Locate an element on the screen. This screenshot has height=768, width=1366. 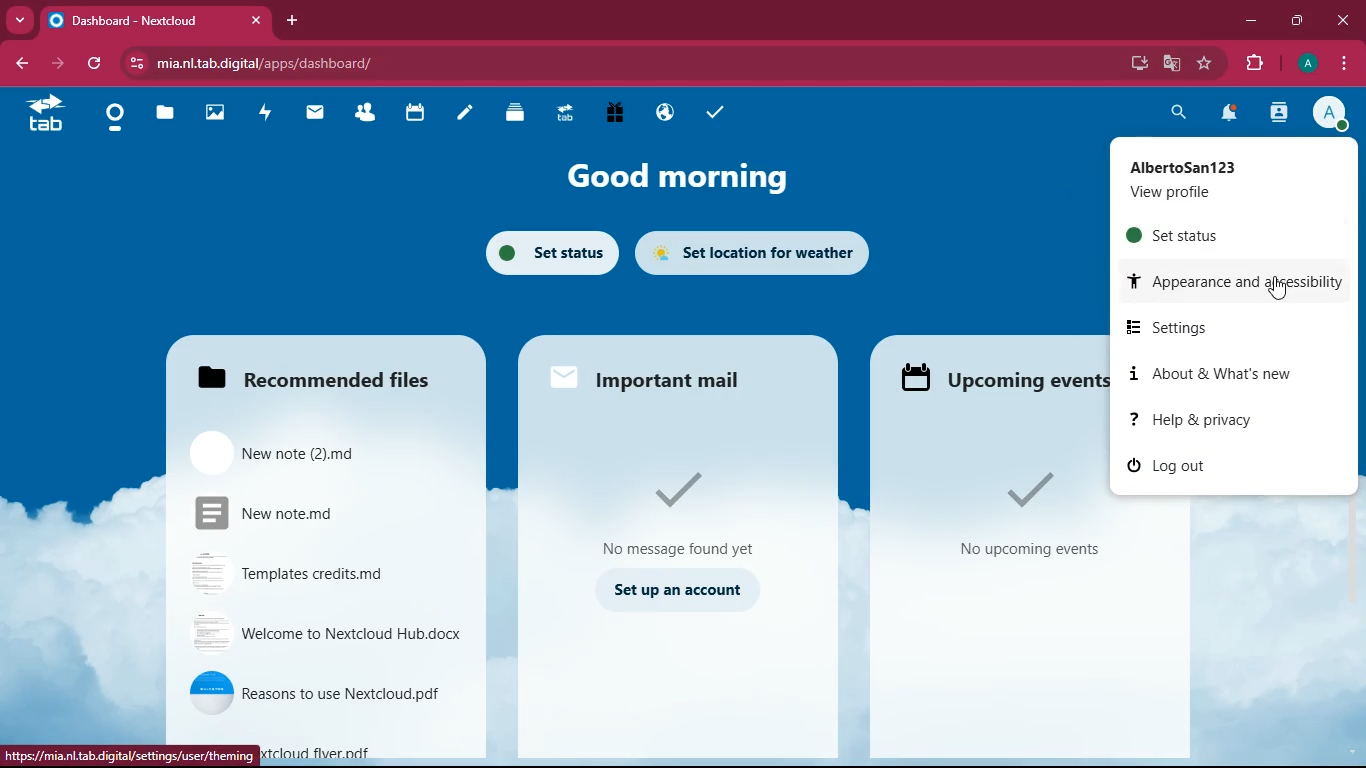
file is located at coordinates (312, 575).